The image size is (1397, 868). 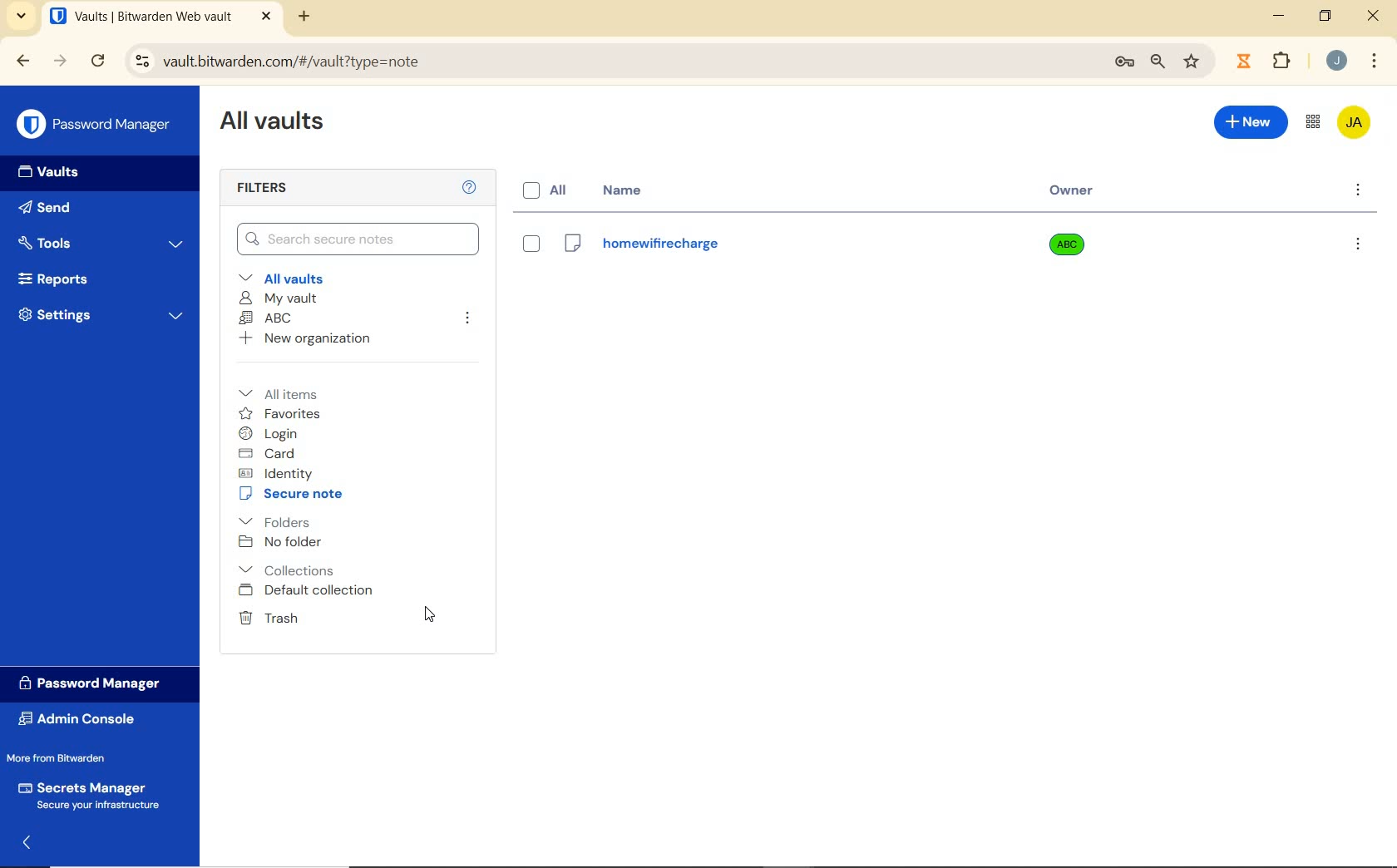 What do you see at coordinates (549, 191) in the screenshot?
I see `all` at bounding box center [549, 191].